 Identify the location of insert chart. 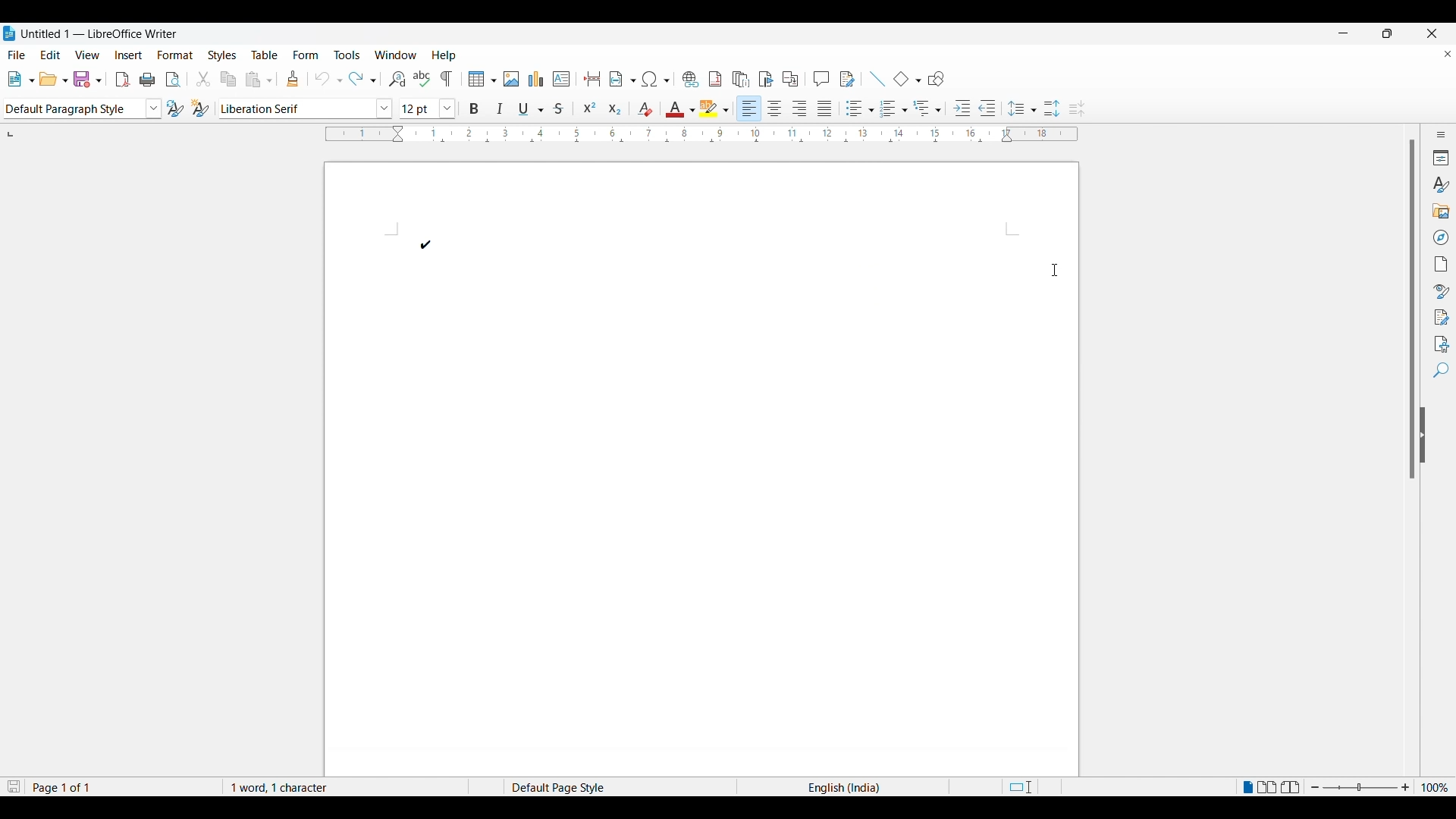
(537, 77).